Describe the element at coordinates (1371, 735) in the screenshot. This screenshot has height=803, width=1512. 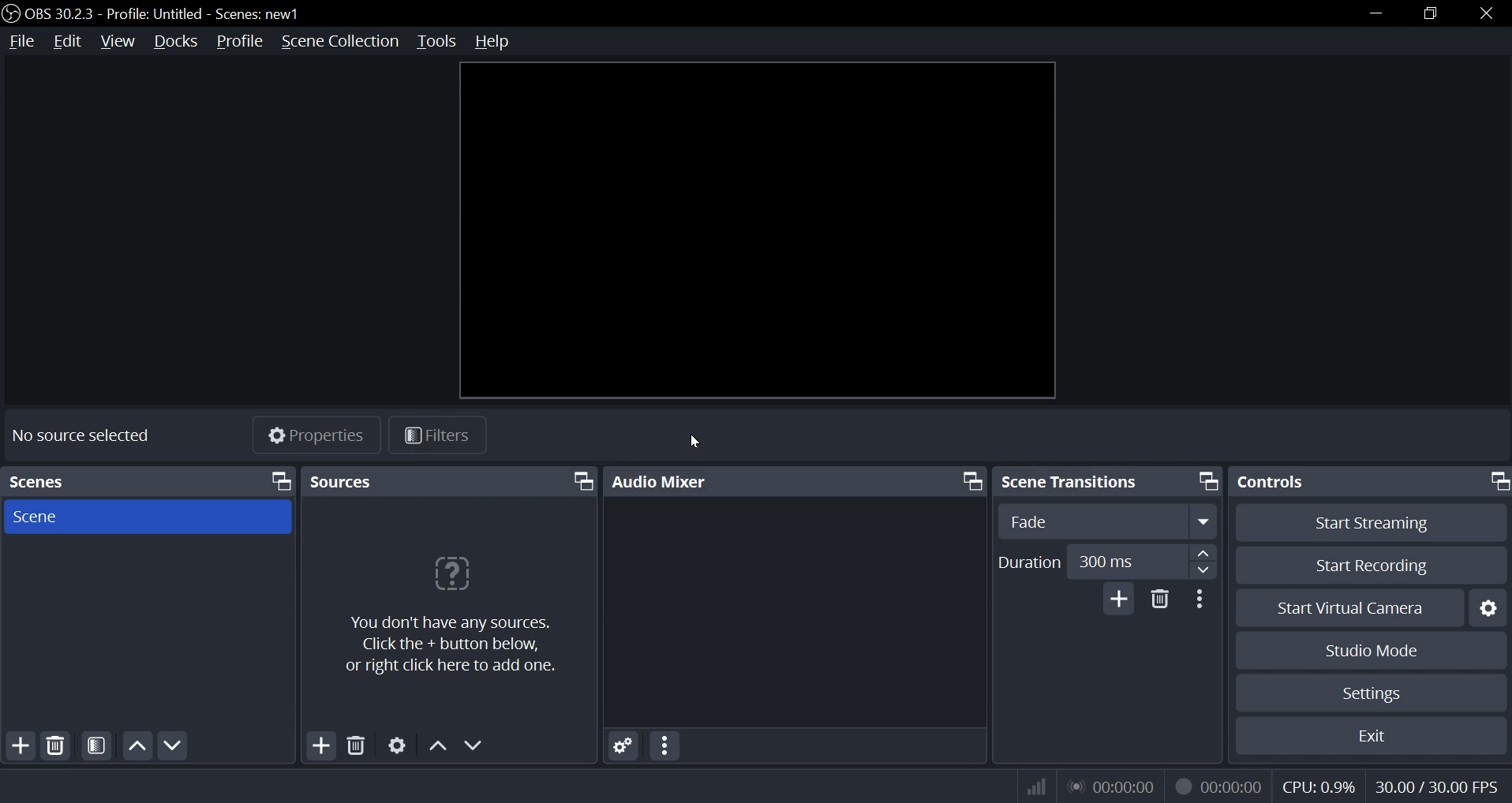
I see `exit` at that location.